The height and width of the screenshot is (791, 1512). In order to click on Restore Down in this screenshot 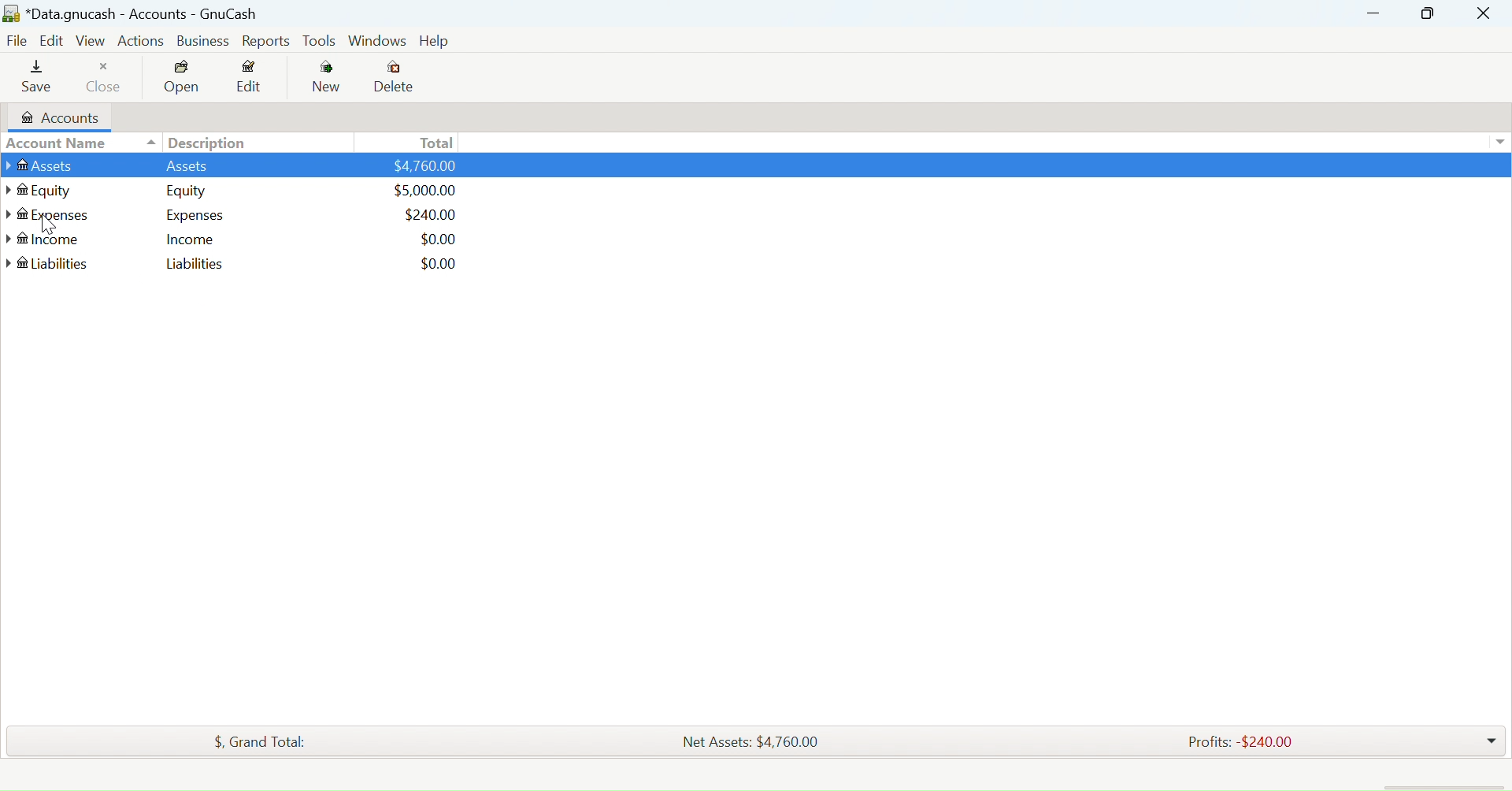, I will do `click(1373, 13)`.